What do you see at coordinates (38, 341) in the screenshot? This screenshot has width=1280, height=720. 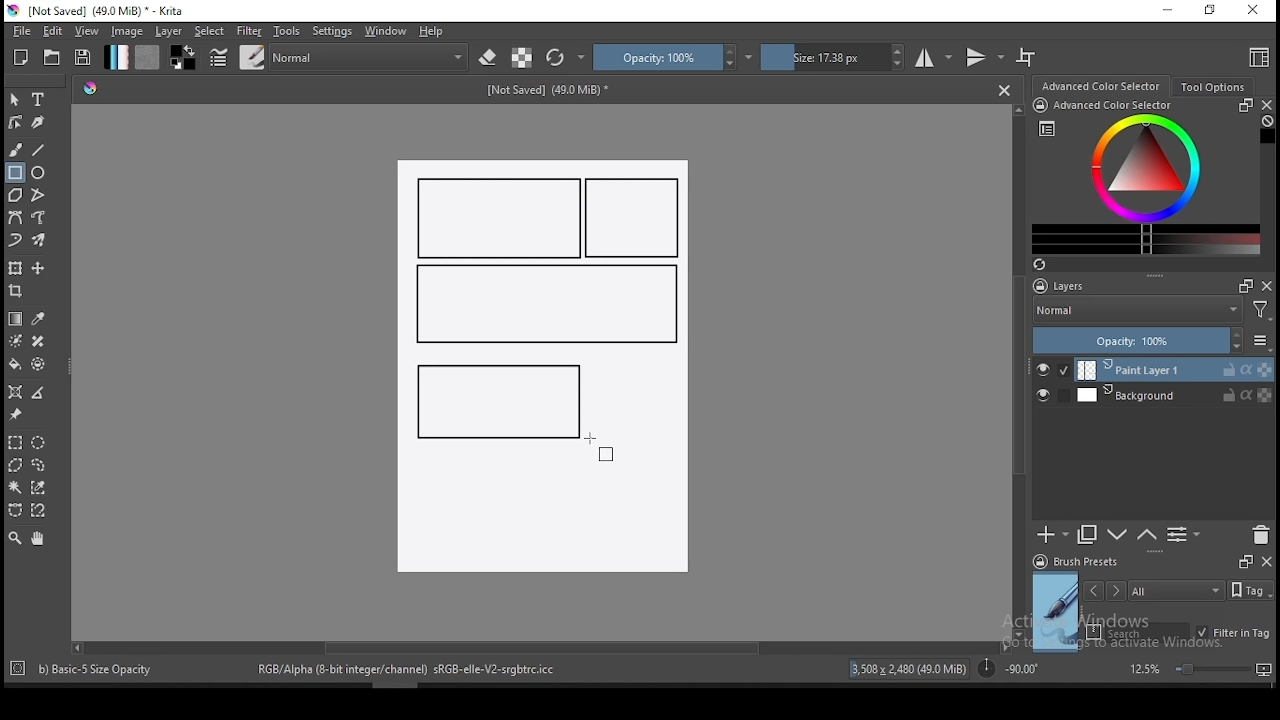 I see `smart patch tool` at bounding box center [38, 341].